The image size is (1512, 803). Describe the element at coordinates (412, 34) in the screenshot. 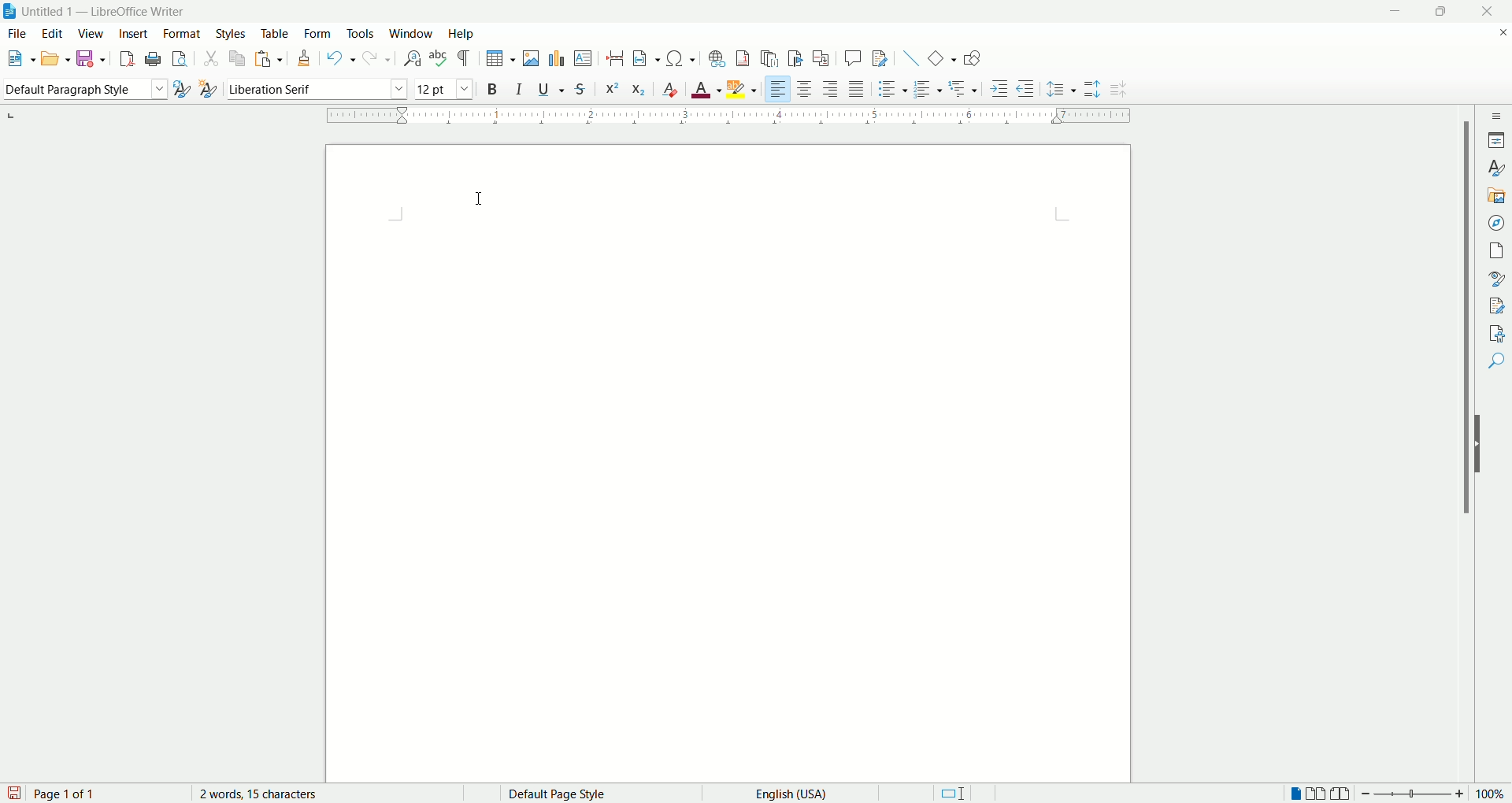

I see `window` at that location.